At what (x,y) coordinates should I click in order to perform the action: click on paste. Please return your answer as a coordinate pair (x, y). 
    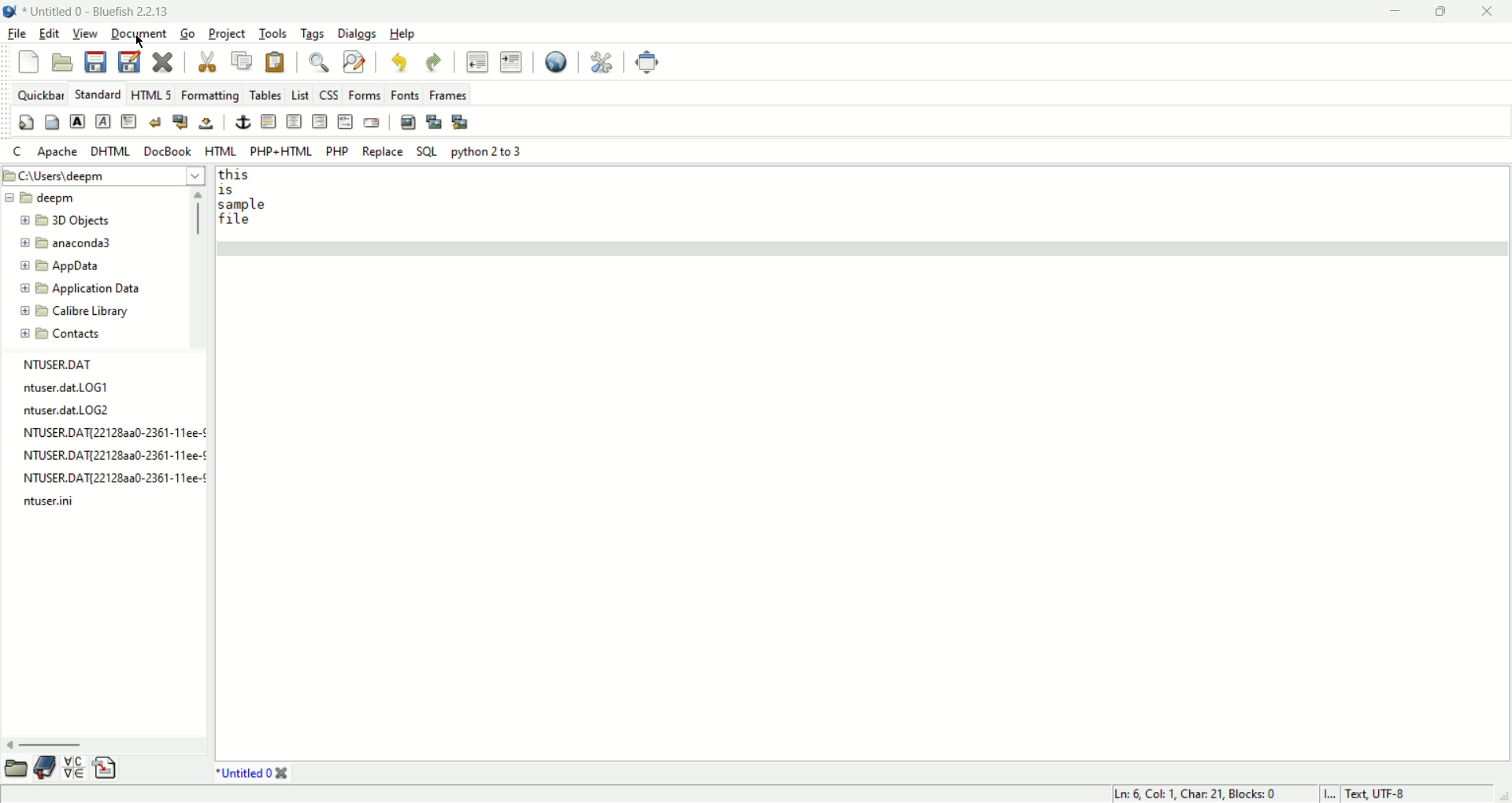
    Looking at the image, I should click on (272, 60).